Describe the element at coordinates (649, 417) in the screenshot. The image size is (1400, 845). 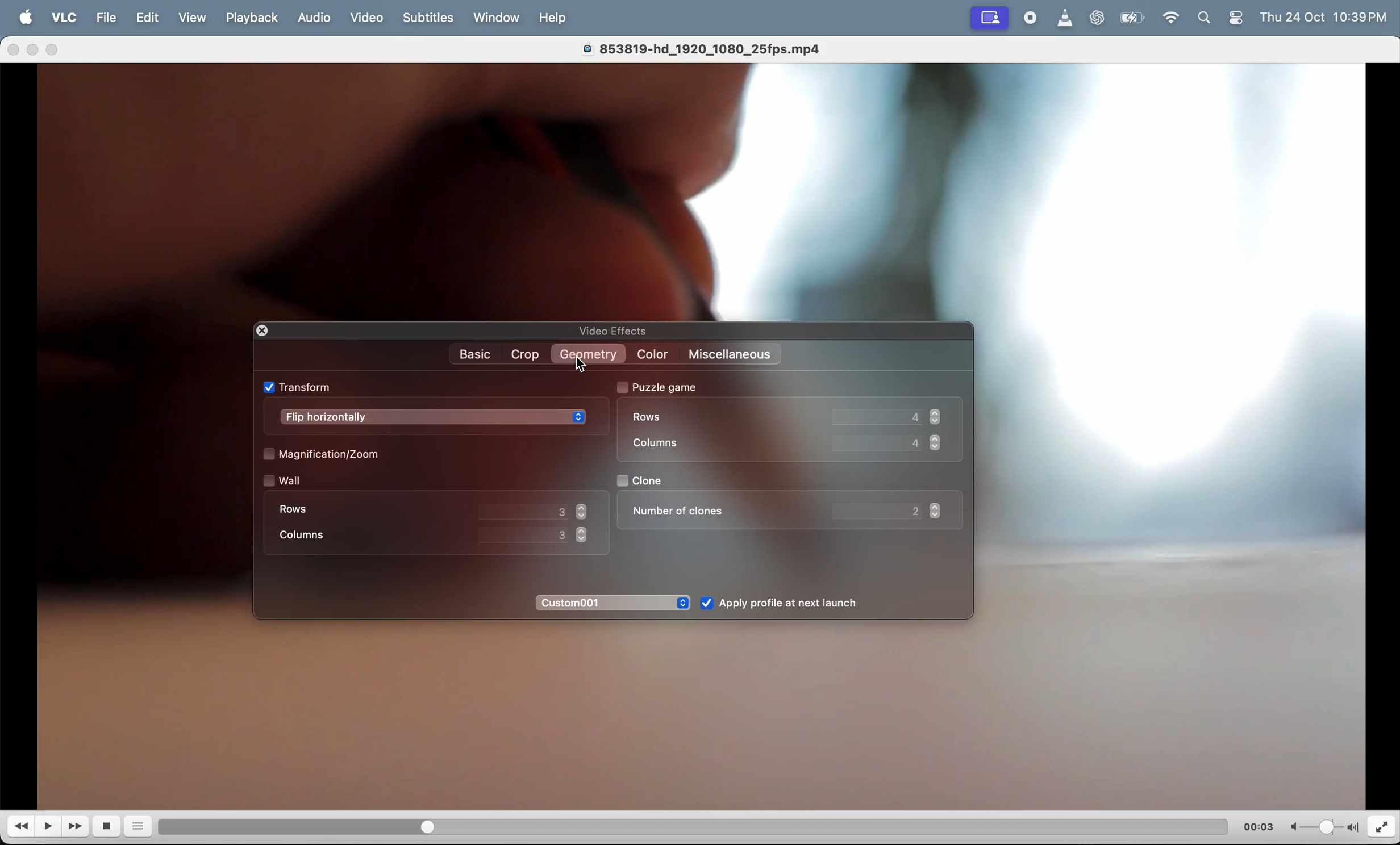
I see `rows` at that location.